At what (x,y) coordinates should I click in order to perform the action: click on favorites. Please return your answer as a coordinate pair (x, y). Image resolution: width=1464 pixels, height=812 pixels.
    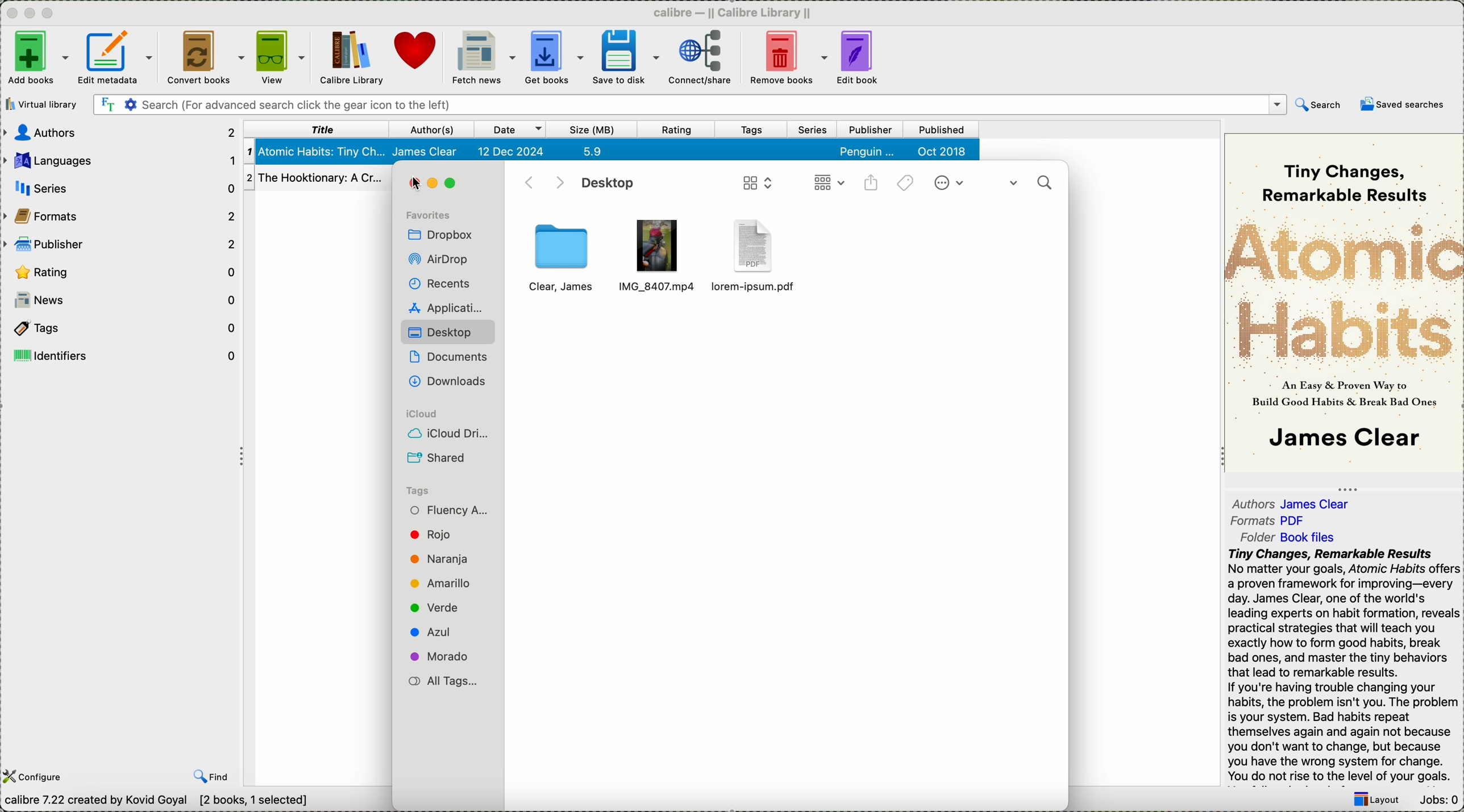
    Looking at the image, I should click on (434, 210).